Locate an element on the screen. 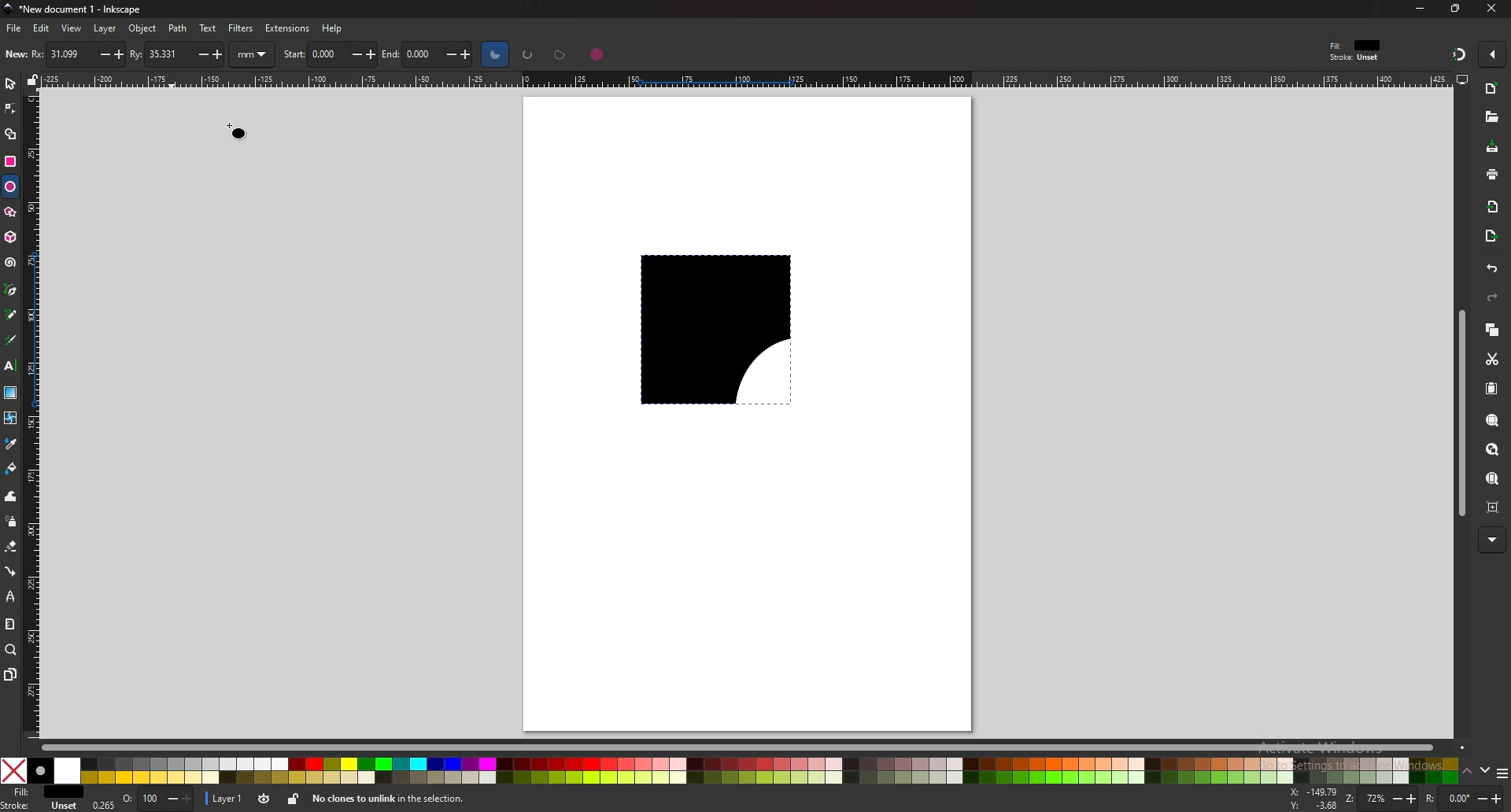 The width and height of the screenshot is (1511, 812). slice is located at coordinates (495, 54).